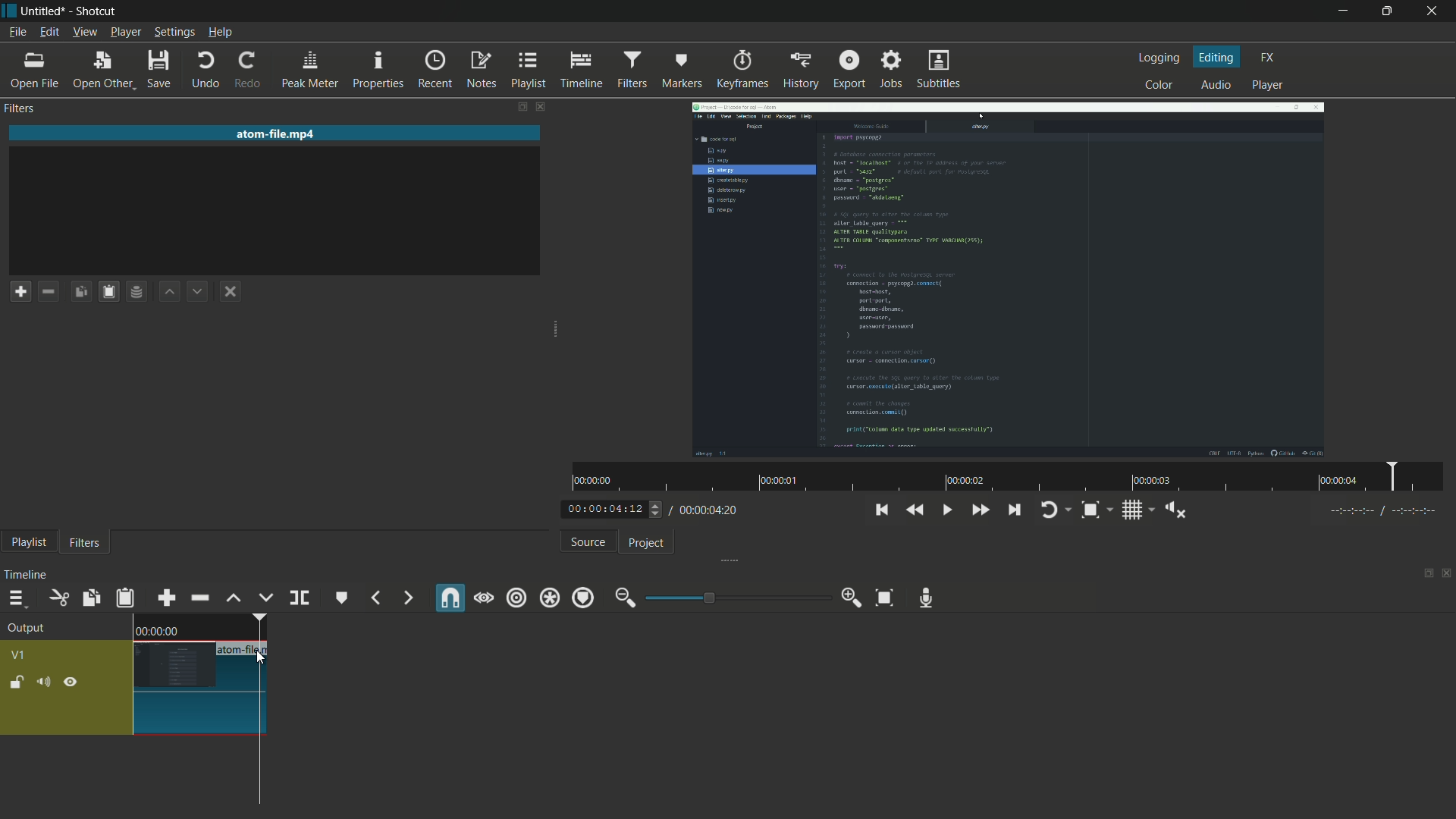 This screenshot has width=1456, height=819. What do you see at coordinates (1216, 58) in the screenshot?
I see `editing` at bounding box center [1216, 58].